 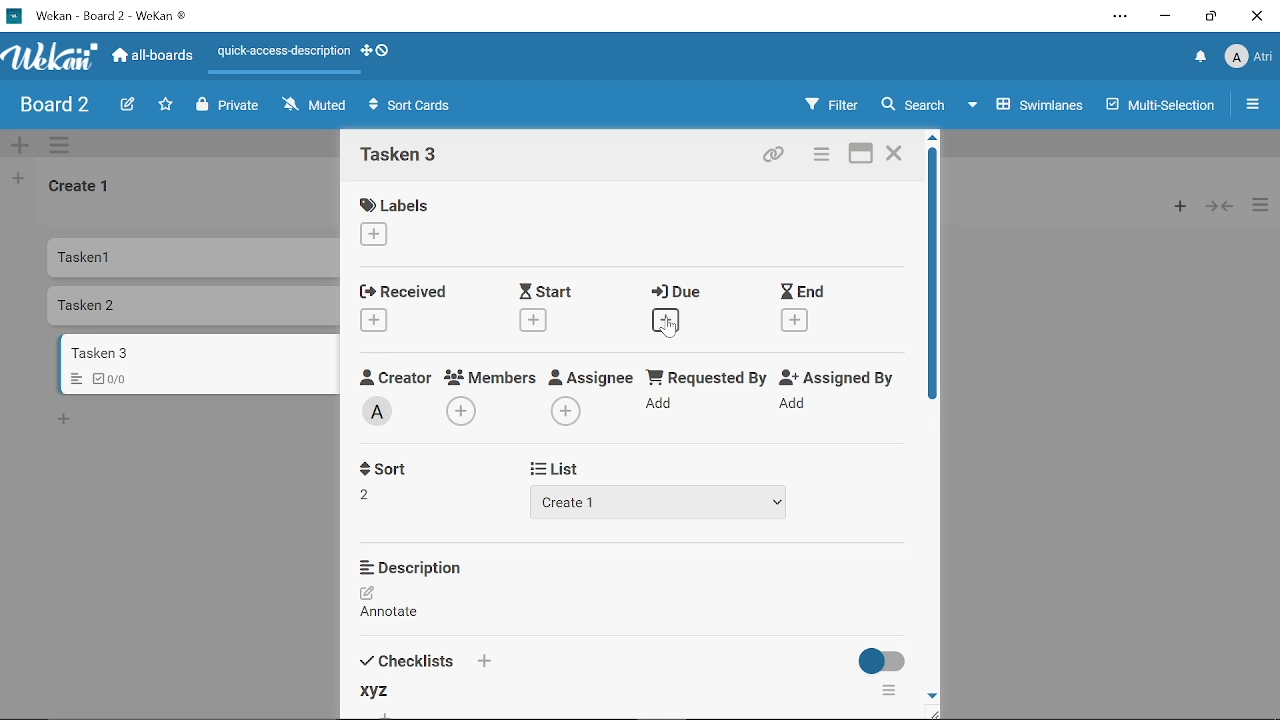 What do you see at coordinates (882, 657) in the screenshot?
I see `Hide finished checklist` at bounding box center [882, 657].